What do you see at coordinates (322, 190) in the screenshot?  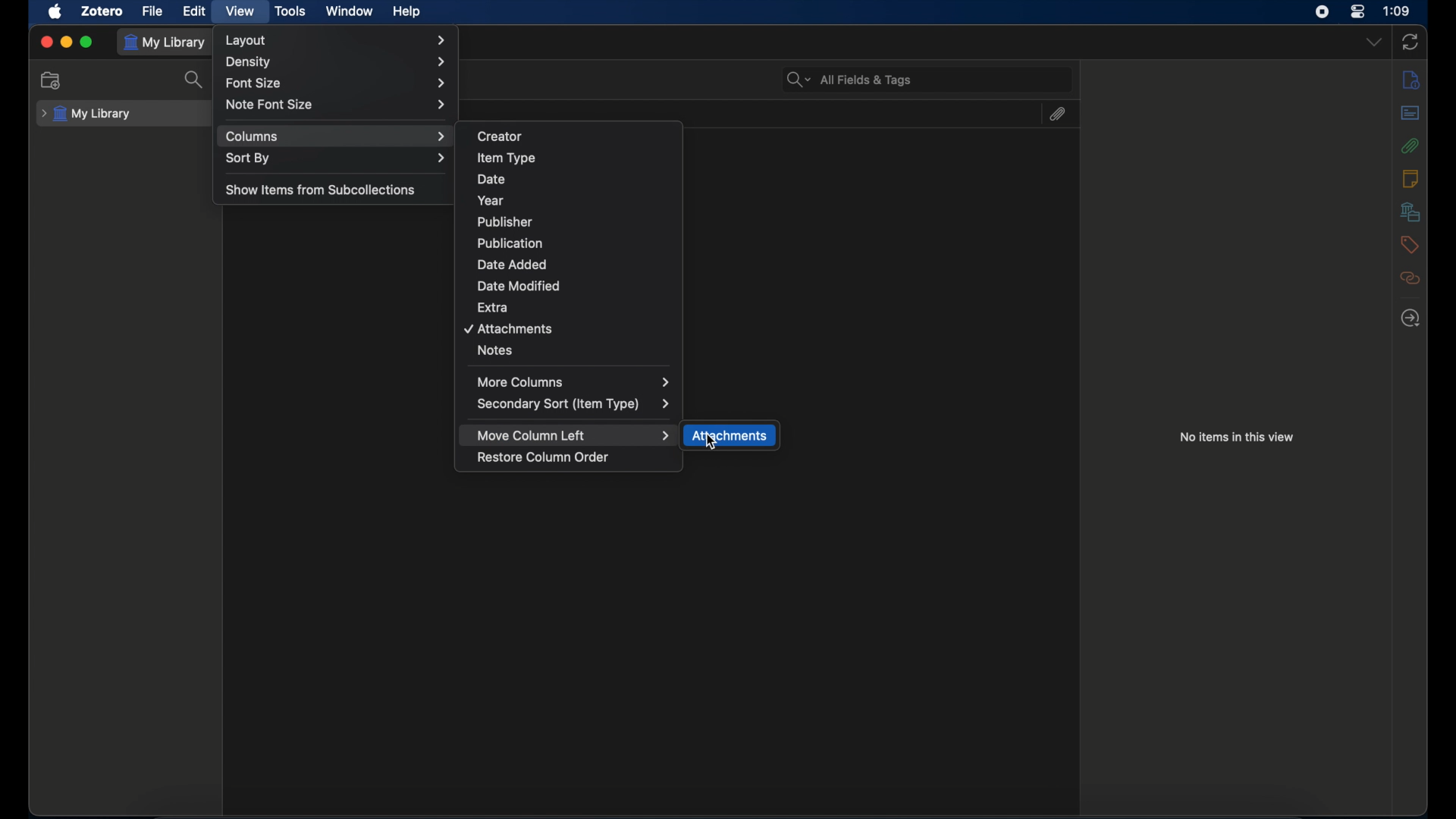 I see `show items from subcollections` at bounding box center [322, 190].